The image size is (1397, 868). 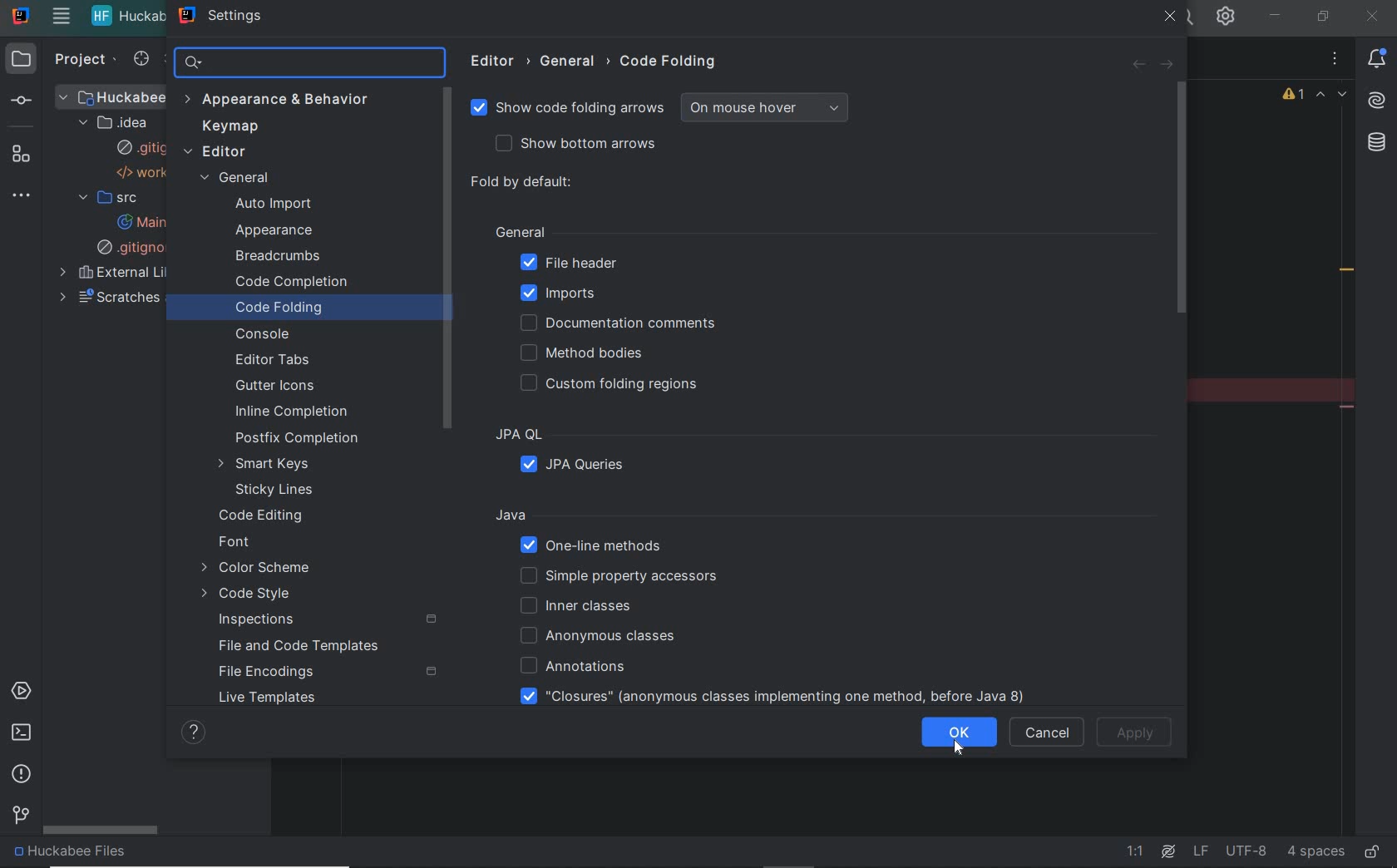 What do you see at coordinates (269, 699) in the screenshot?
I see `live templates` at bounding box center [269, 699].